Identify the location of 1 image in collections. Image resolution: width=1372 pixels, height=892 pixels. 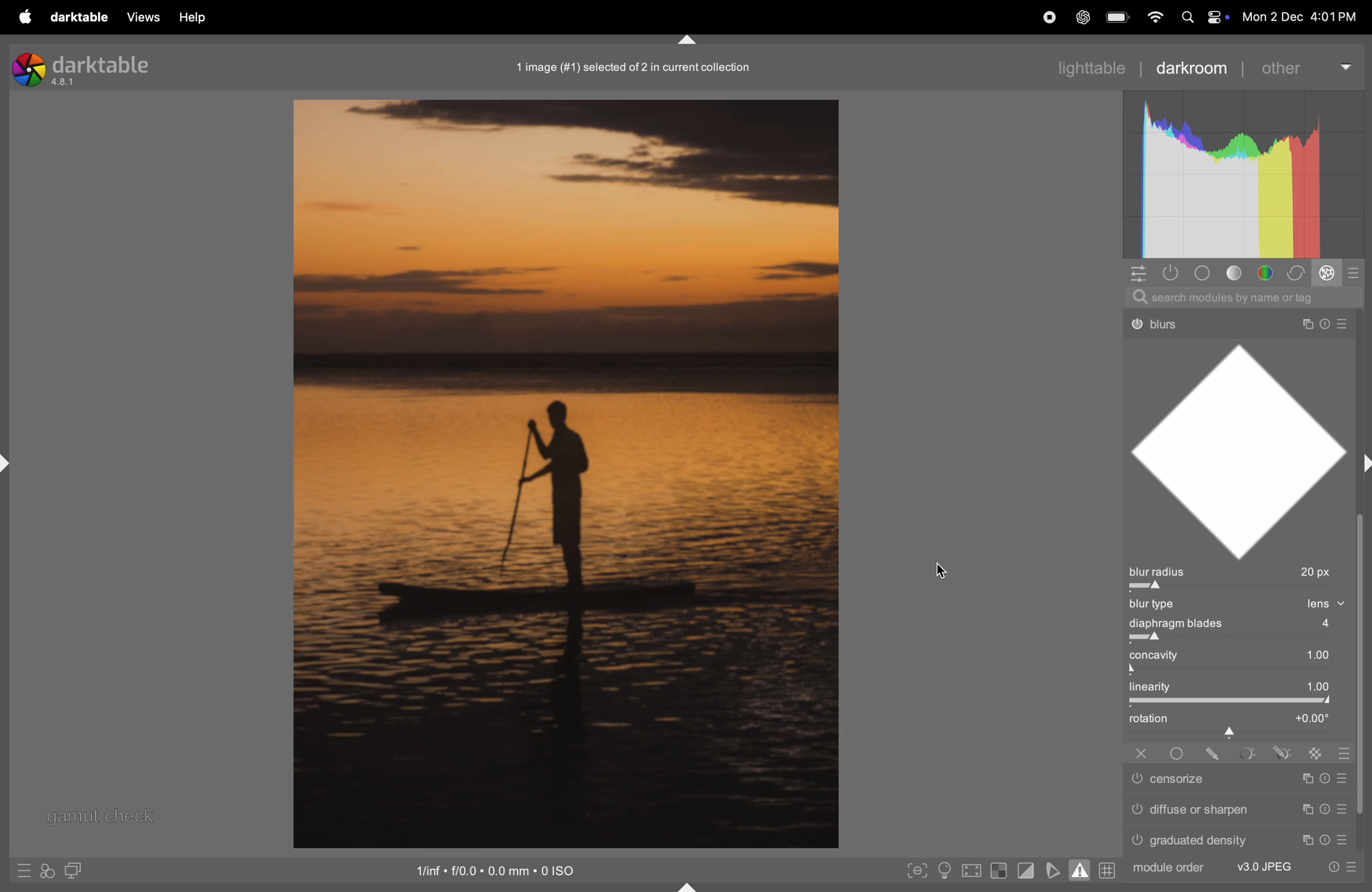
(639, 66).